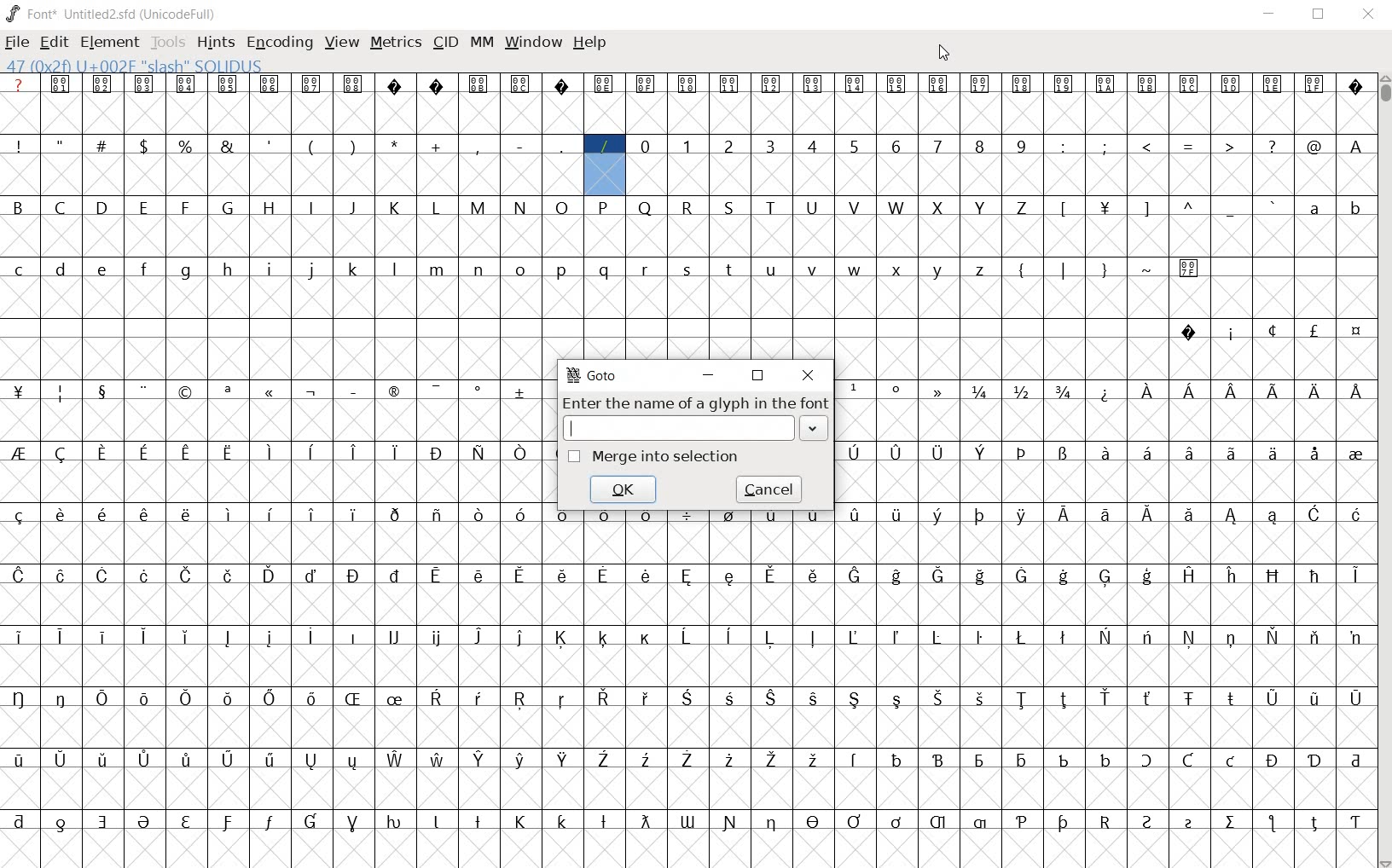  Describe the element at coordinates (604, 575) in the screenshot. I see `glyph` at that location.